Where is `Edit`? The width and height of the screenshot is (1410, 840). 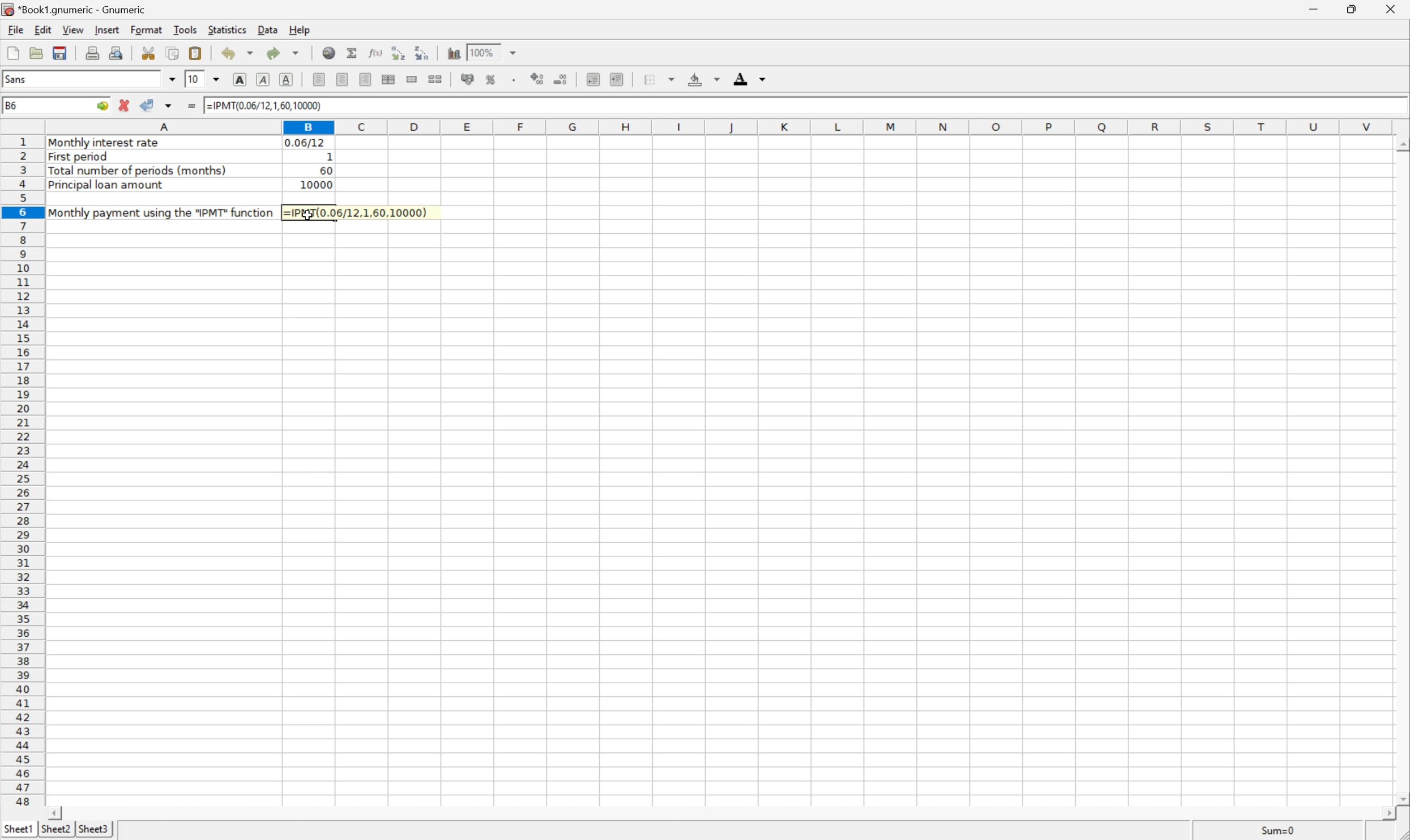 Edit is located at coordinates (43, 29).